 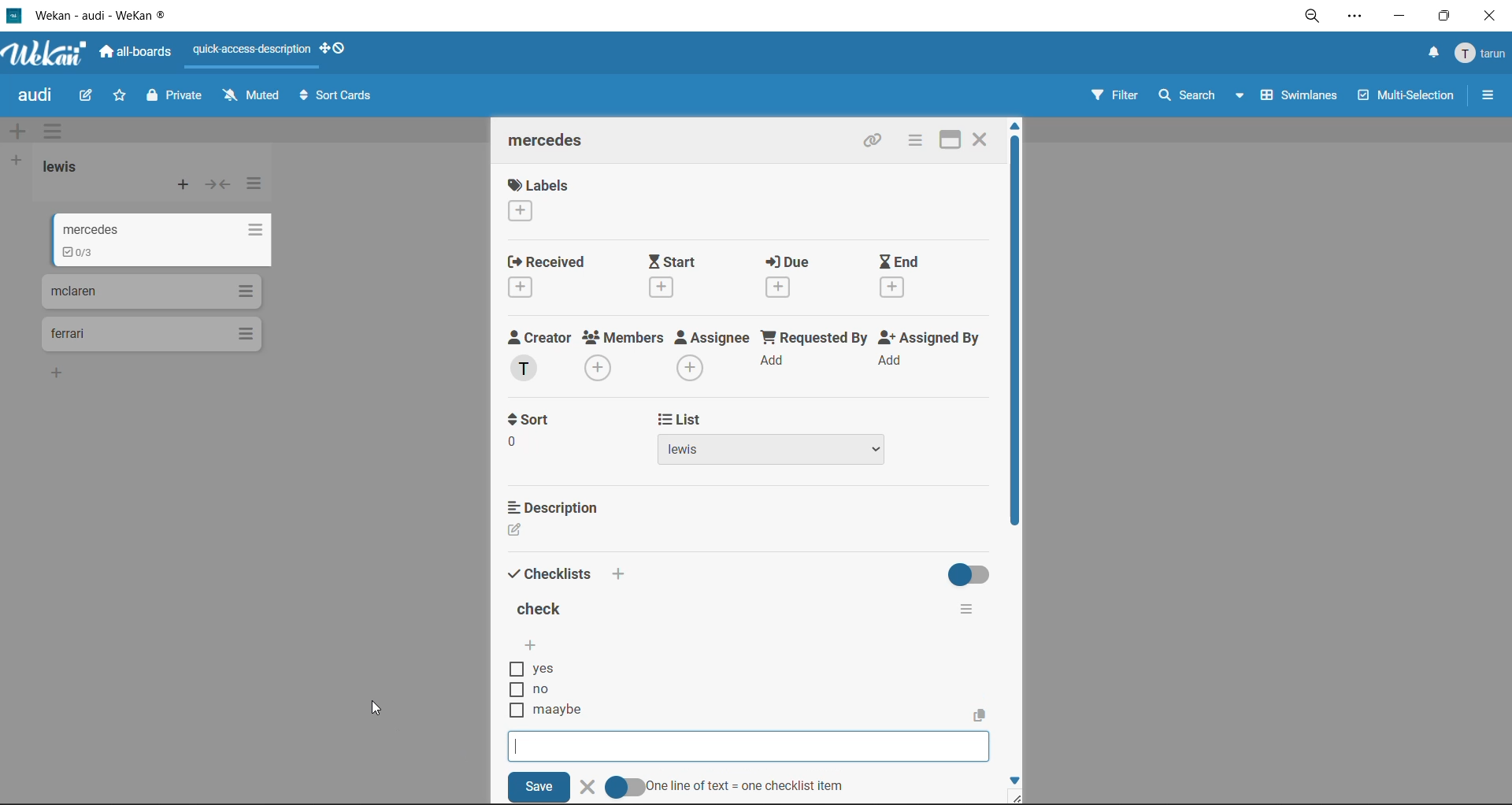 What do you see at coordinates (537, 432) in the screenshot?
I see `sort` at bounding box center [537, 432].